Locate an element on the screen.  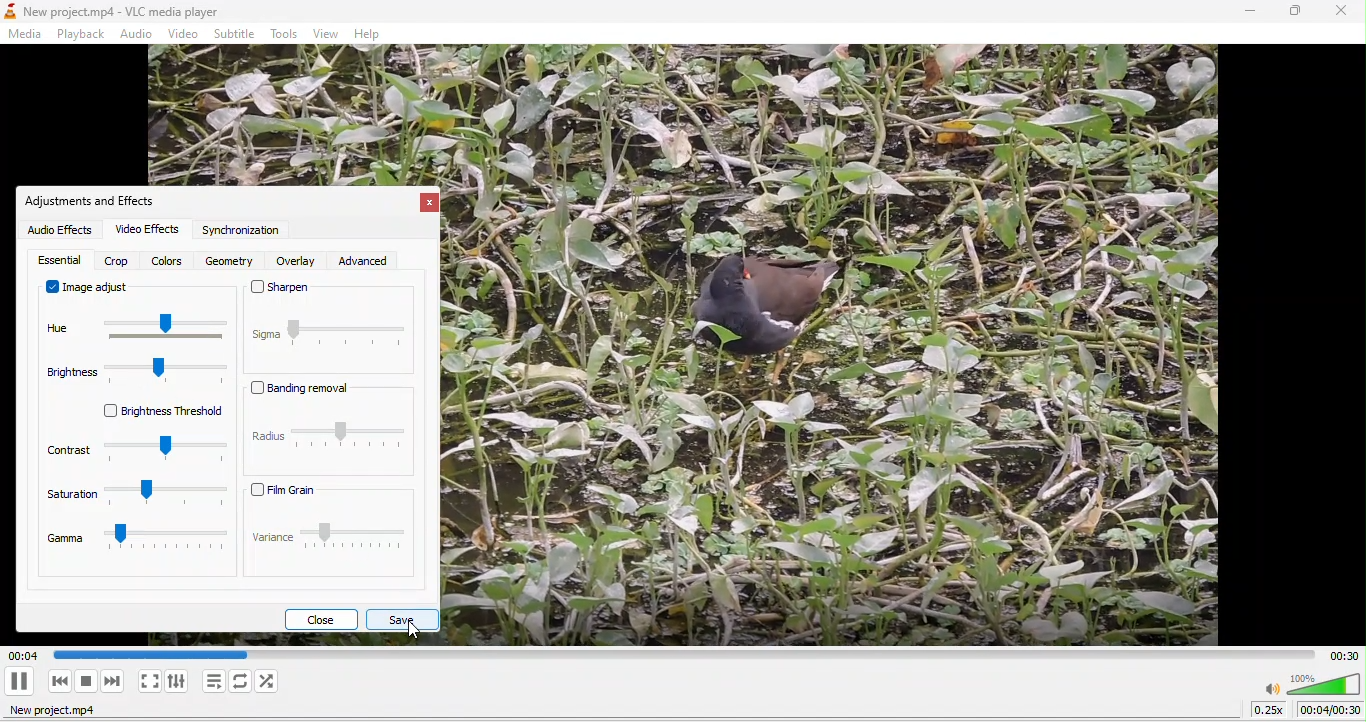
video is located at coordinates (185, 34).